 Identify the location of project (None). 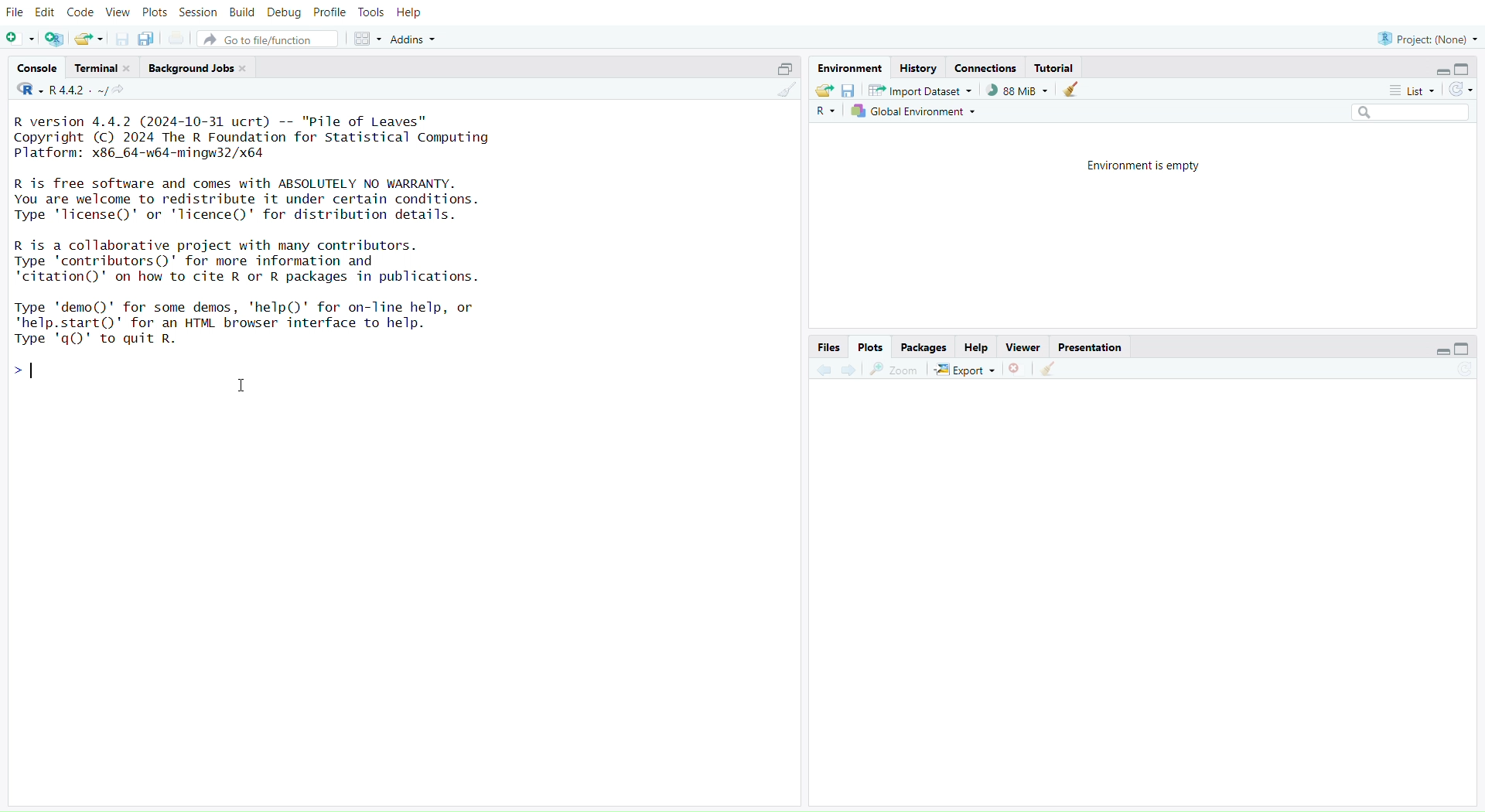
(1426, 39).